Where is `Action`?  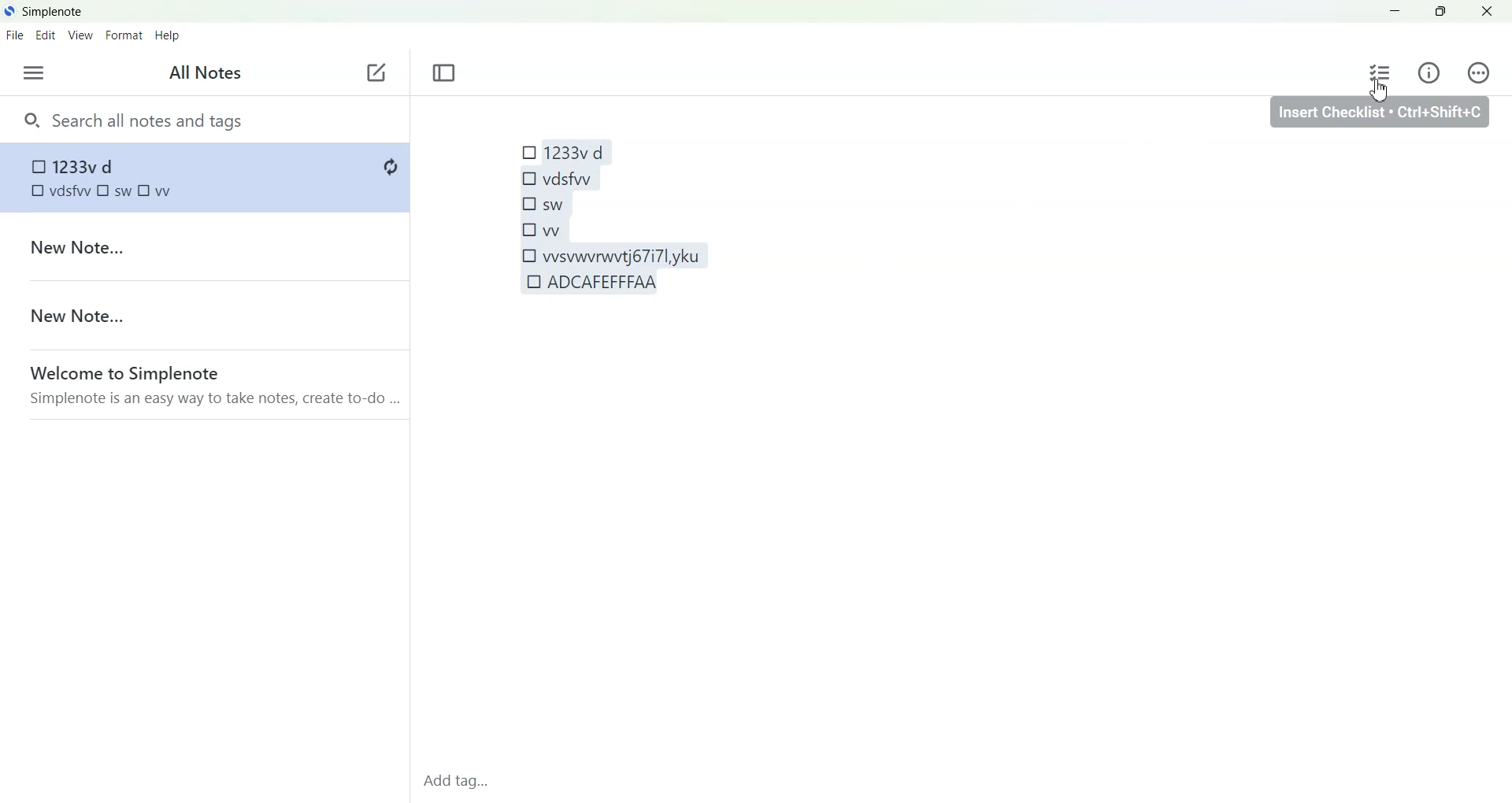
Action is located at coordinates (1479, 74).